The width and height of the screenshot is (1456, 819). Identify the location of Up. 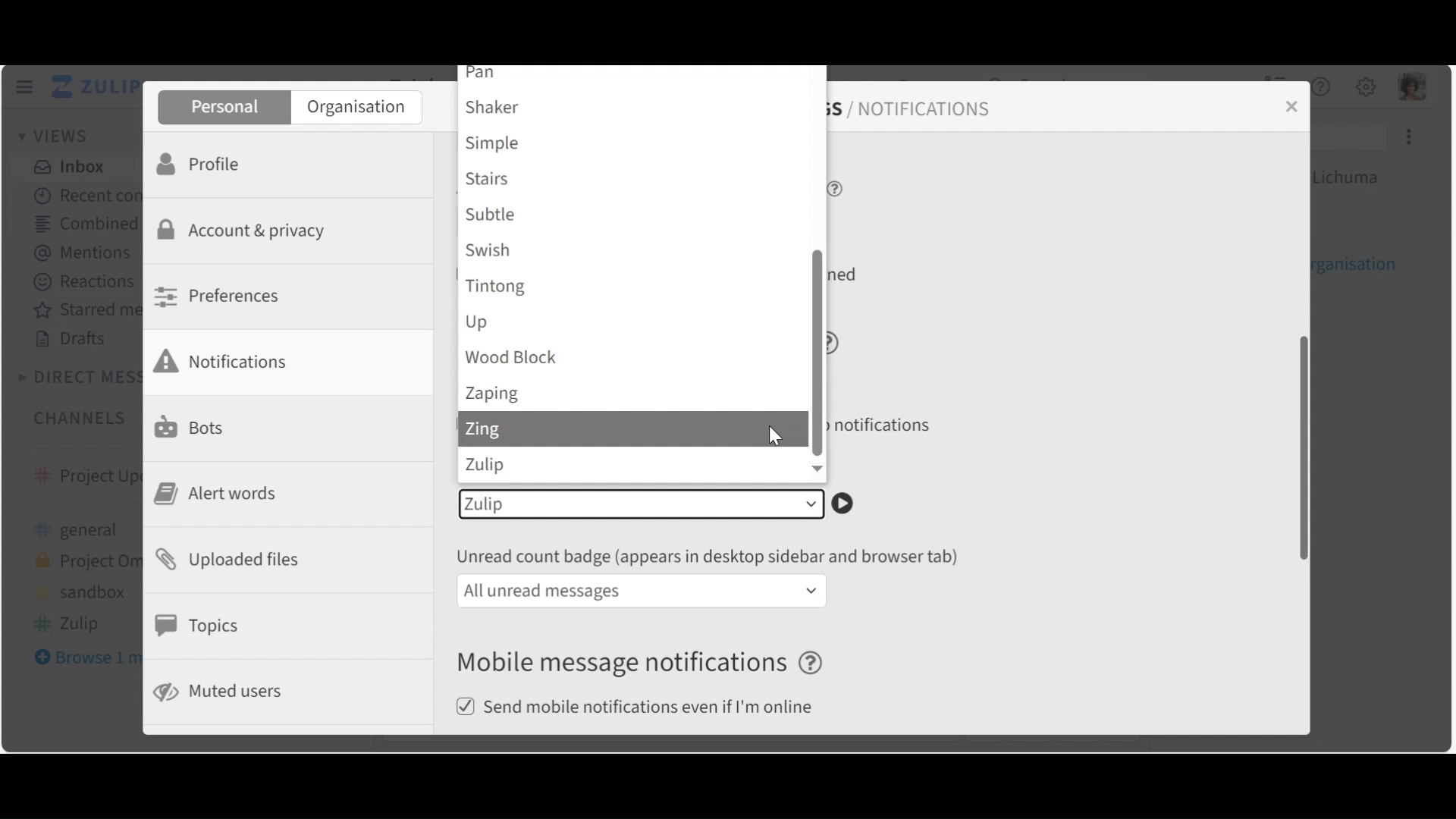
(635, 322).